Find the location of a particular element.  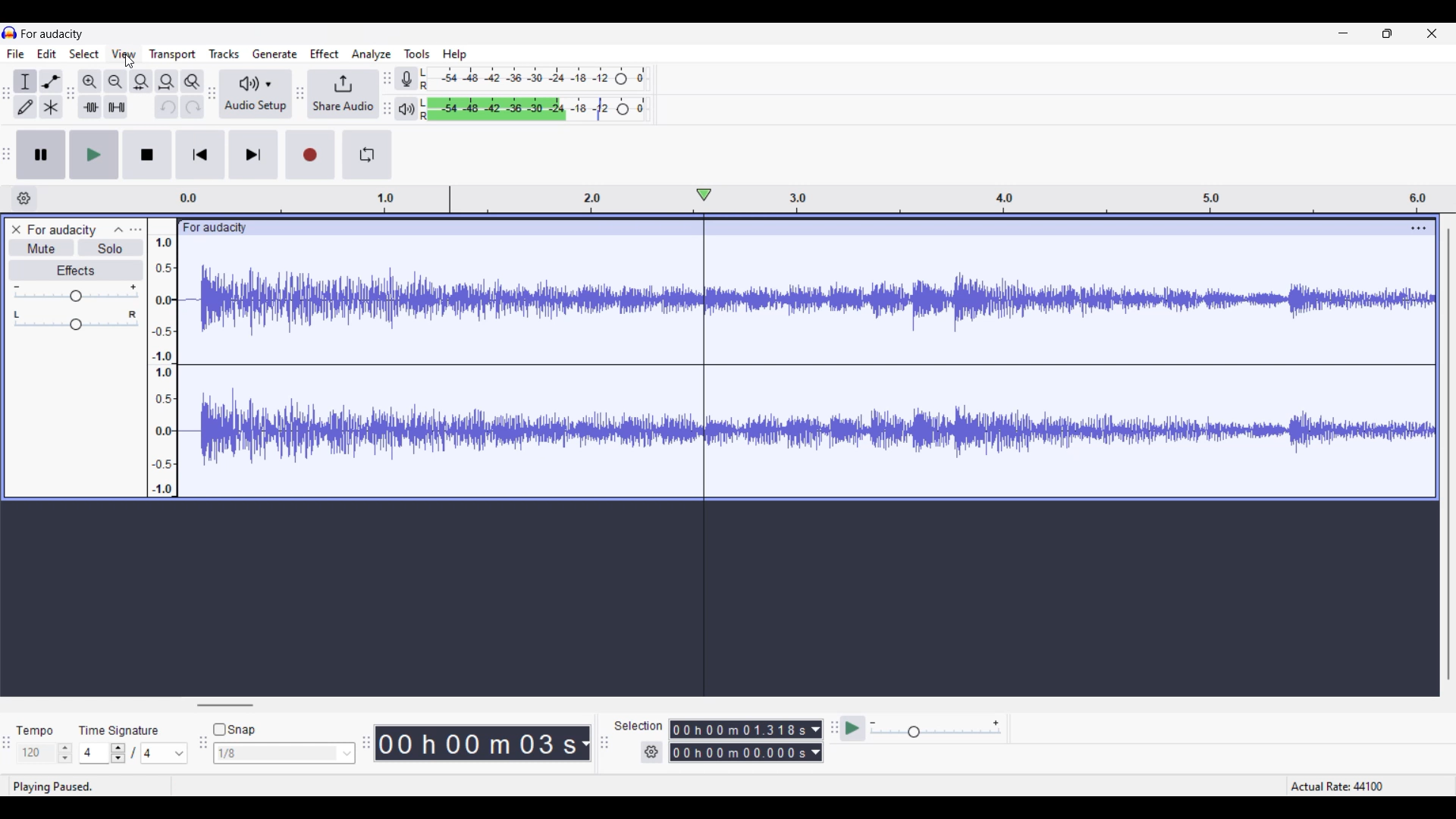

Duration measurement options is located at coordinates (585, 743).